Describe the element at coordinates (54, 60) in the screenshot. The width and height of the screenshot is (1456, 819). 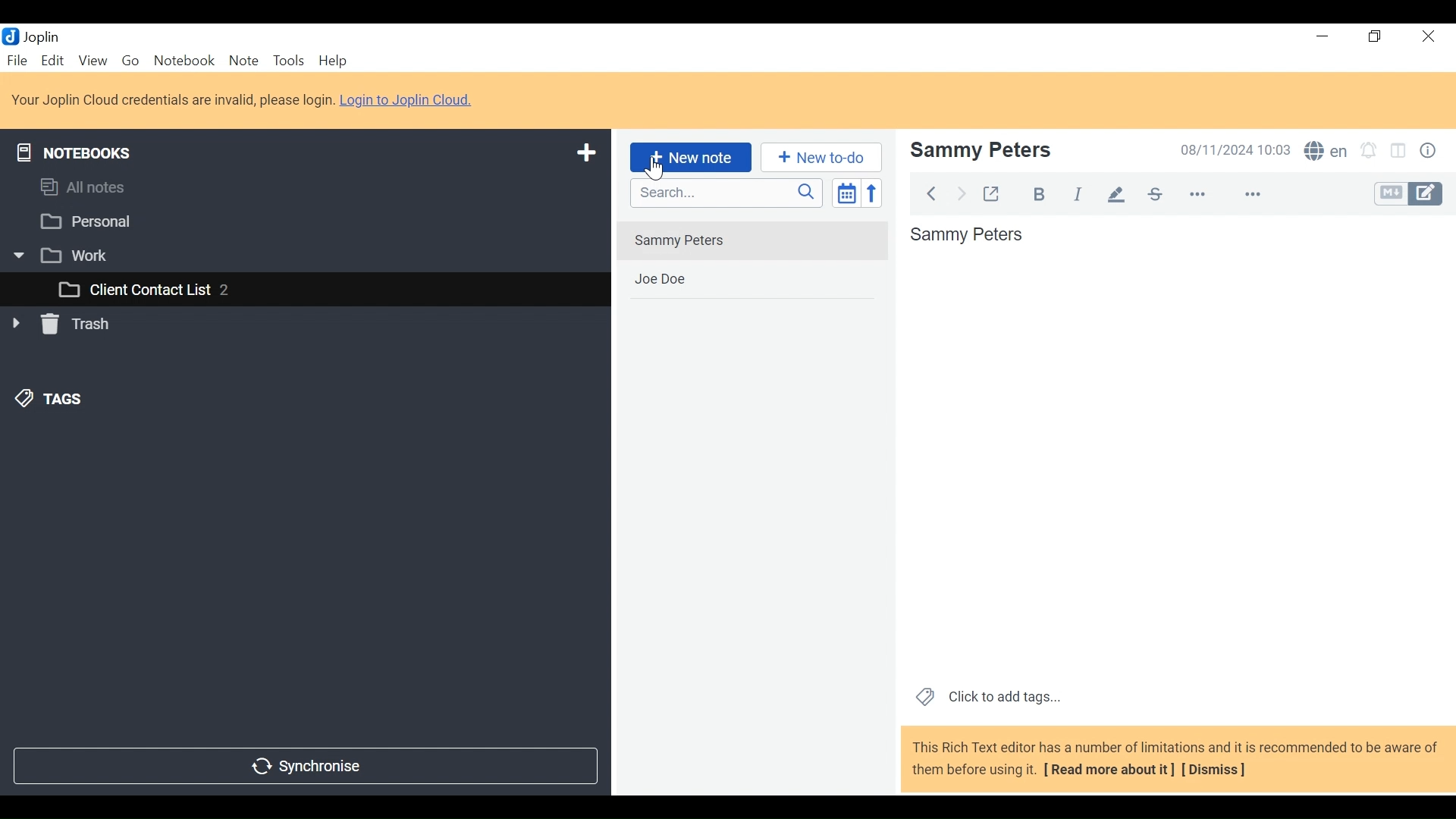
I see `Edit` at that location.